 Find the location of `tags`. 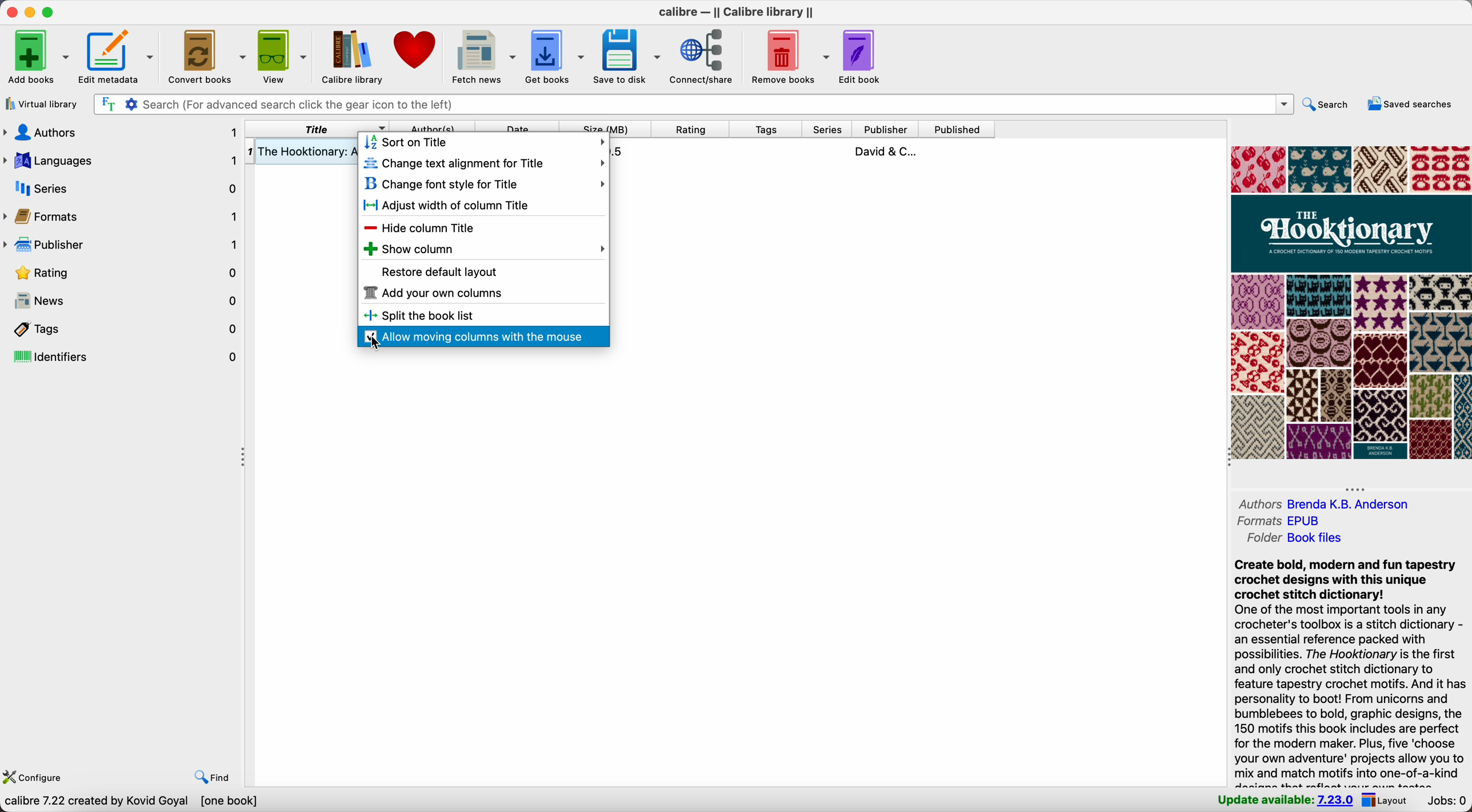

tags is located at coordinates (765, 129).